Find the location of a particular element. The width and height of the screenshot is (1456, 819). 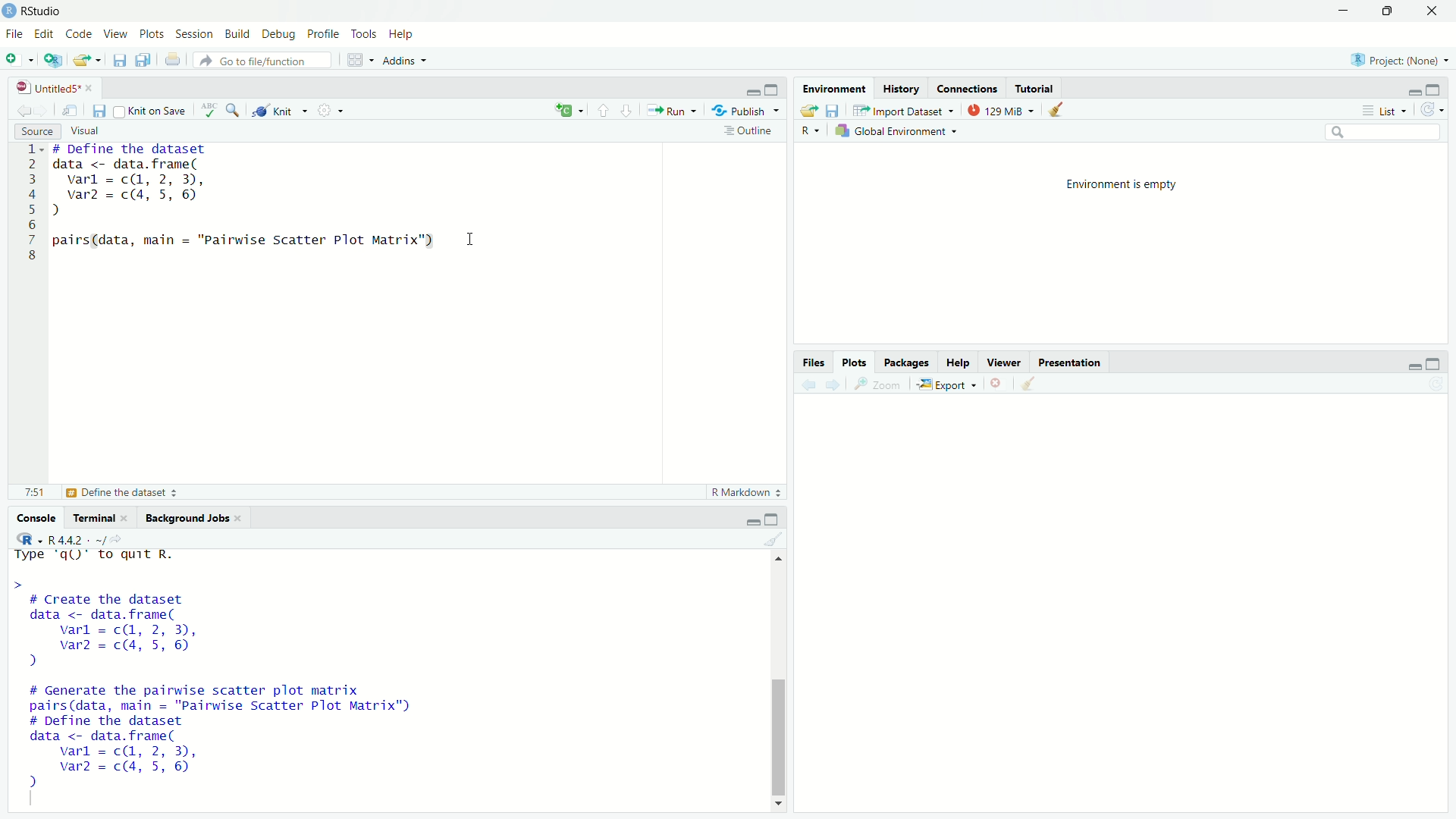

C is located at coordinates (567, 111).